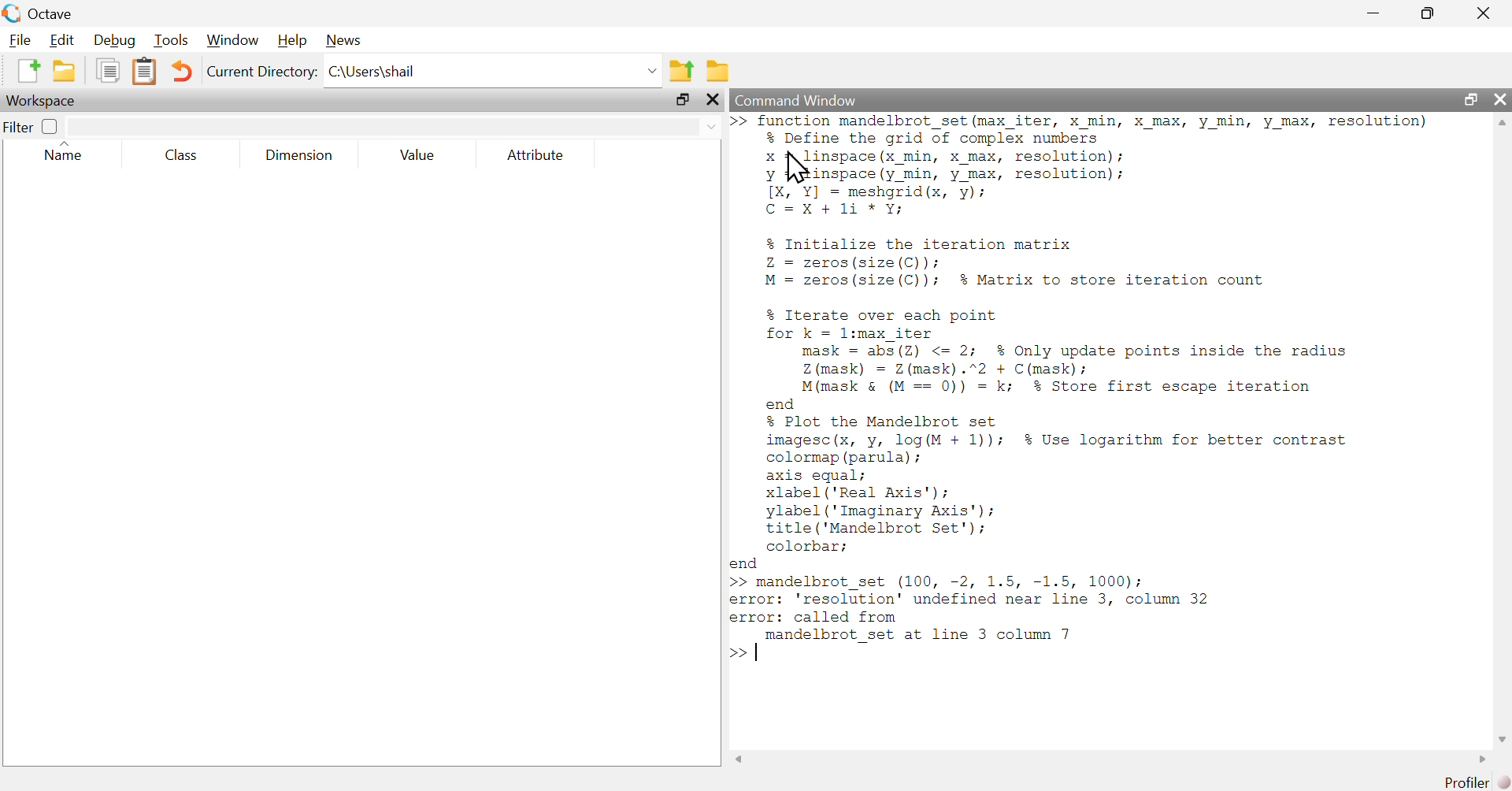 The height and width of the screenshot is (791, 1512). What do you see at coordinates (290, 41) in the screenshot?
I see `Help` at bounding box center [290, 41].